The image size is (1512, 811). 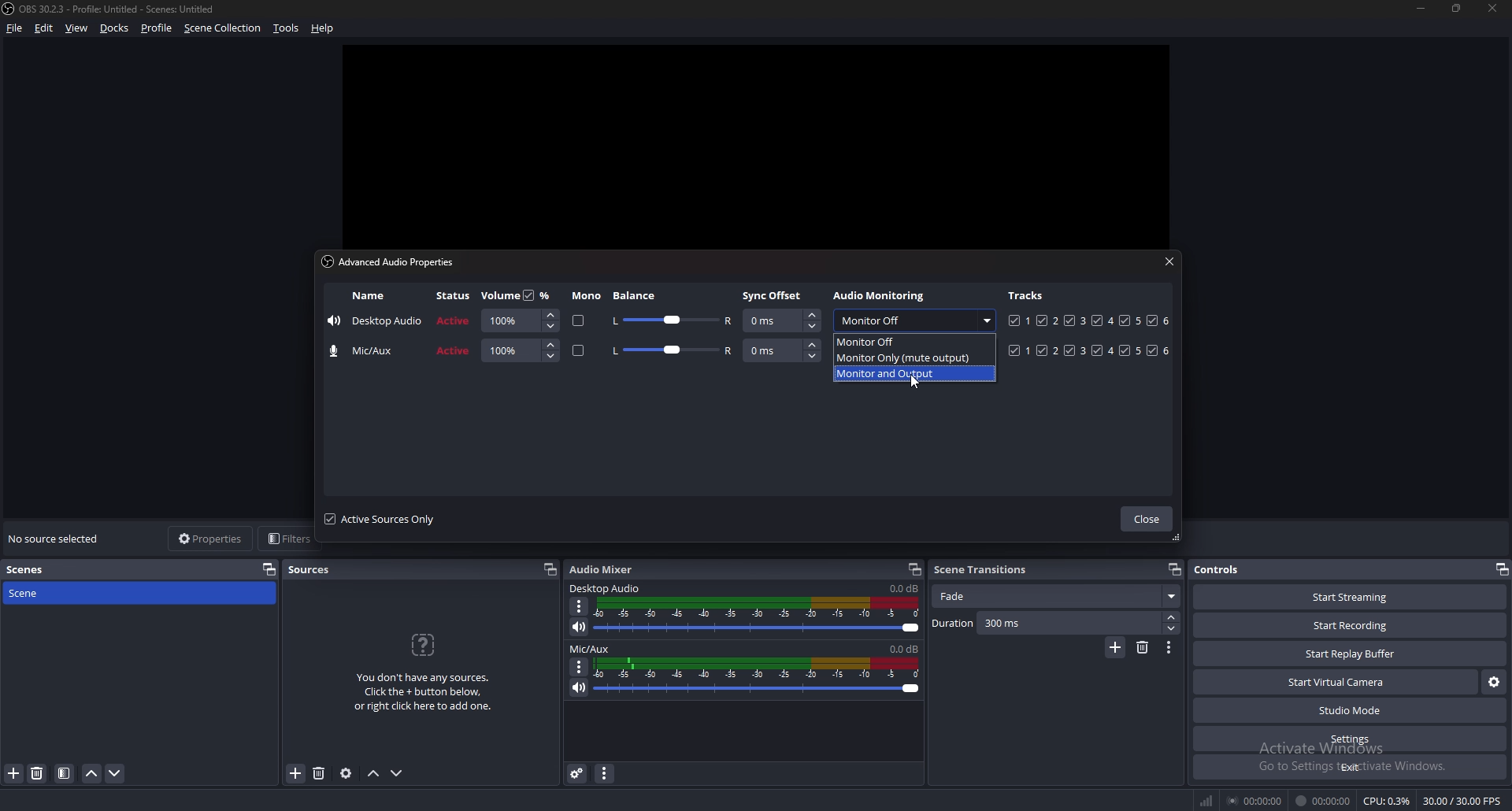 I want to click on scene transitions, so click(x=983, y=569).